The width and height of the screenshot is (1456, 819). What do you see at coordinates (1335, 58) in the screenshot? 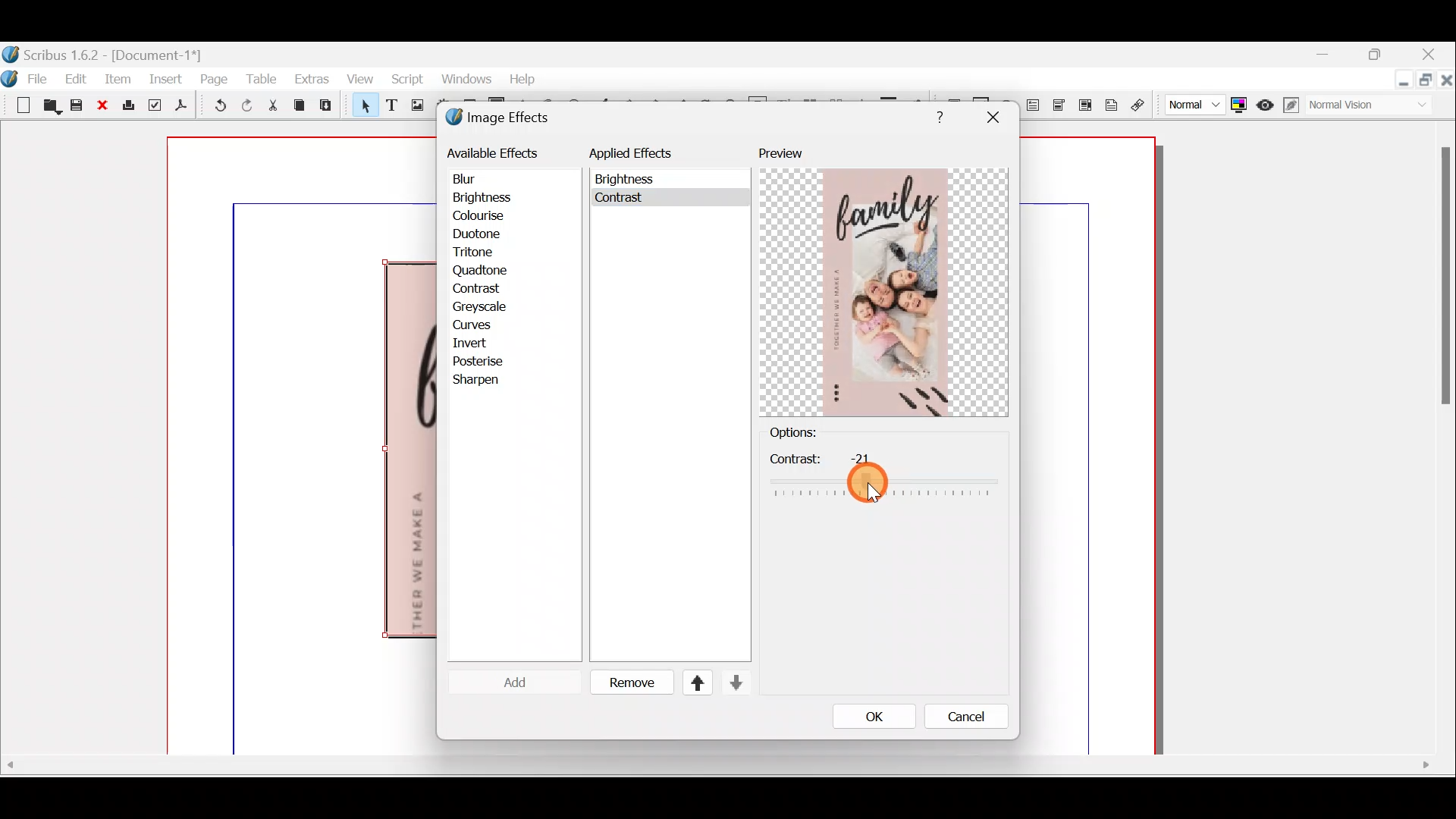
I see `Minimise` at bounding box center [1335, 58].